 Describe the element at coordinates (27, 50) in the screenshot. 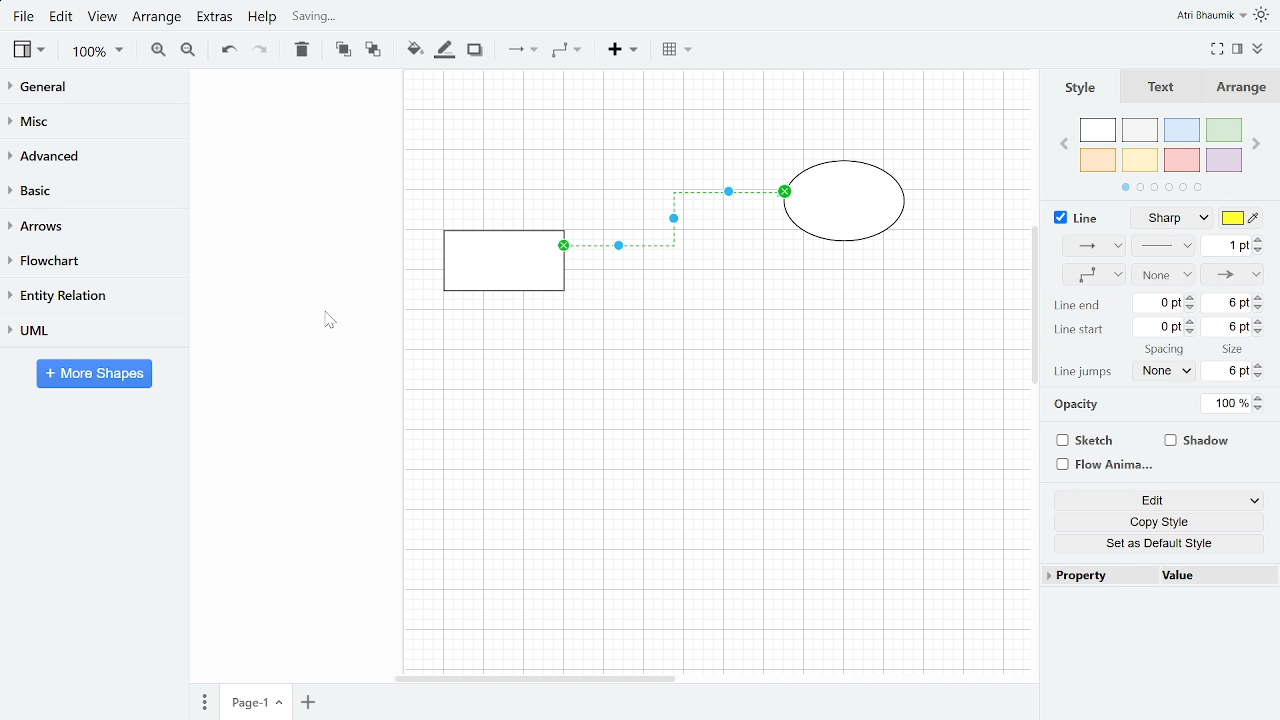

I see `View` at that location.